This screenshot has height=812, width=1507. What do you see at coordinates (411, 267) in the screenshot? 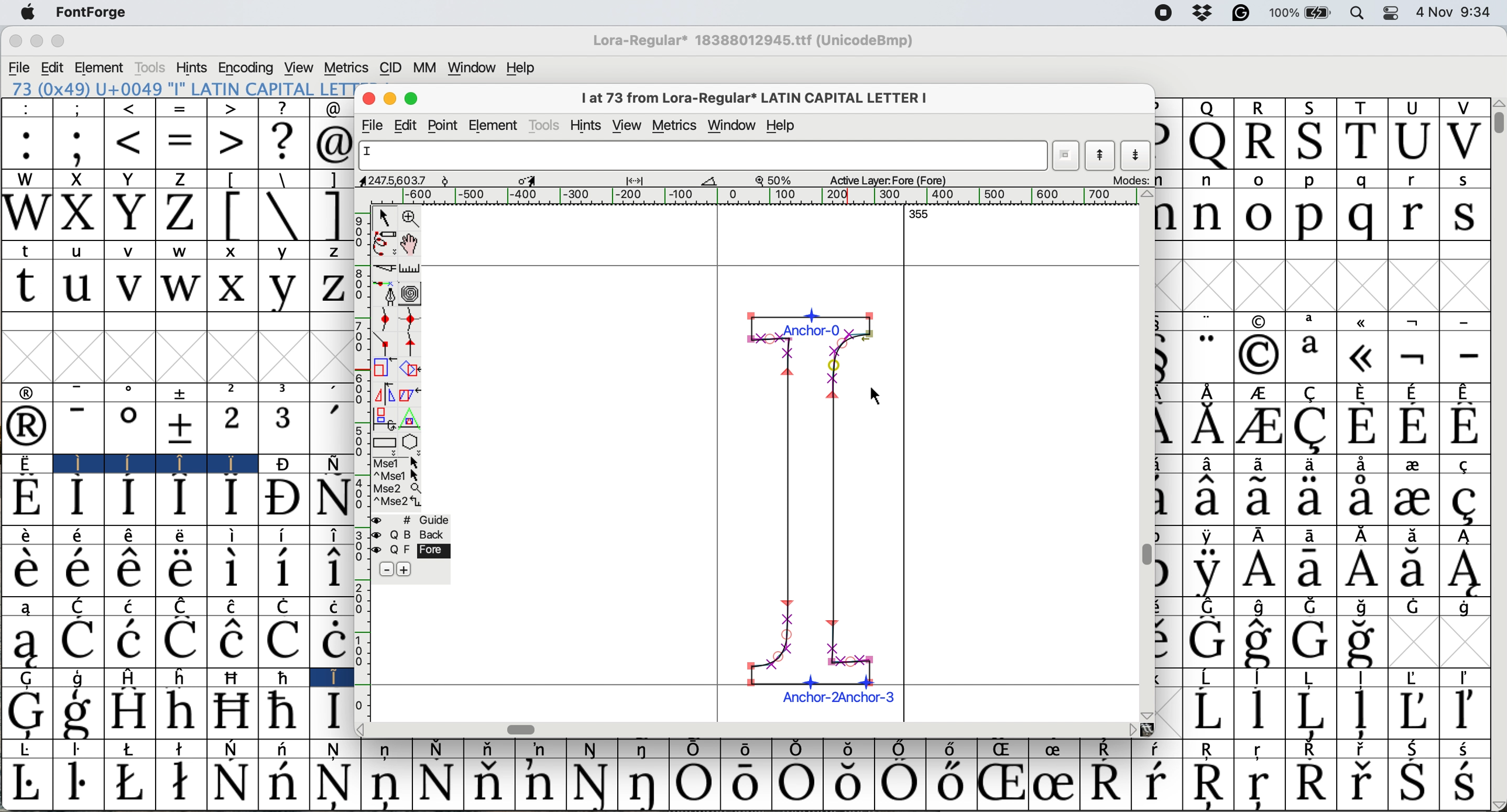
I see `measure distance` at bounding box center [411, 267].